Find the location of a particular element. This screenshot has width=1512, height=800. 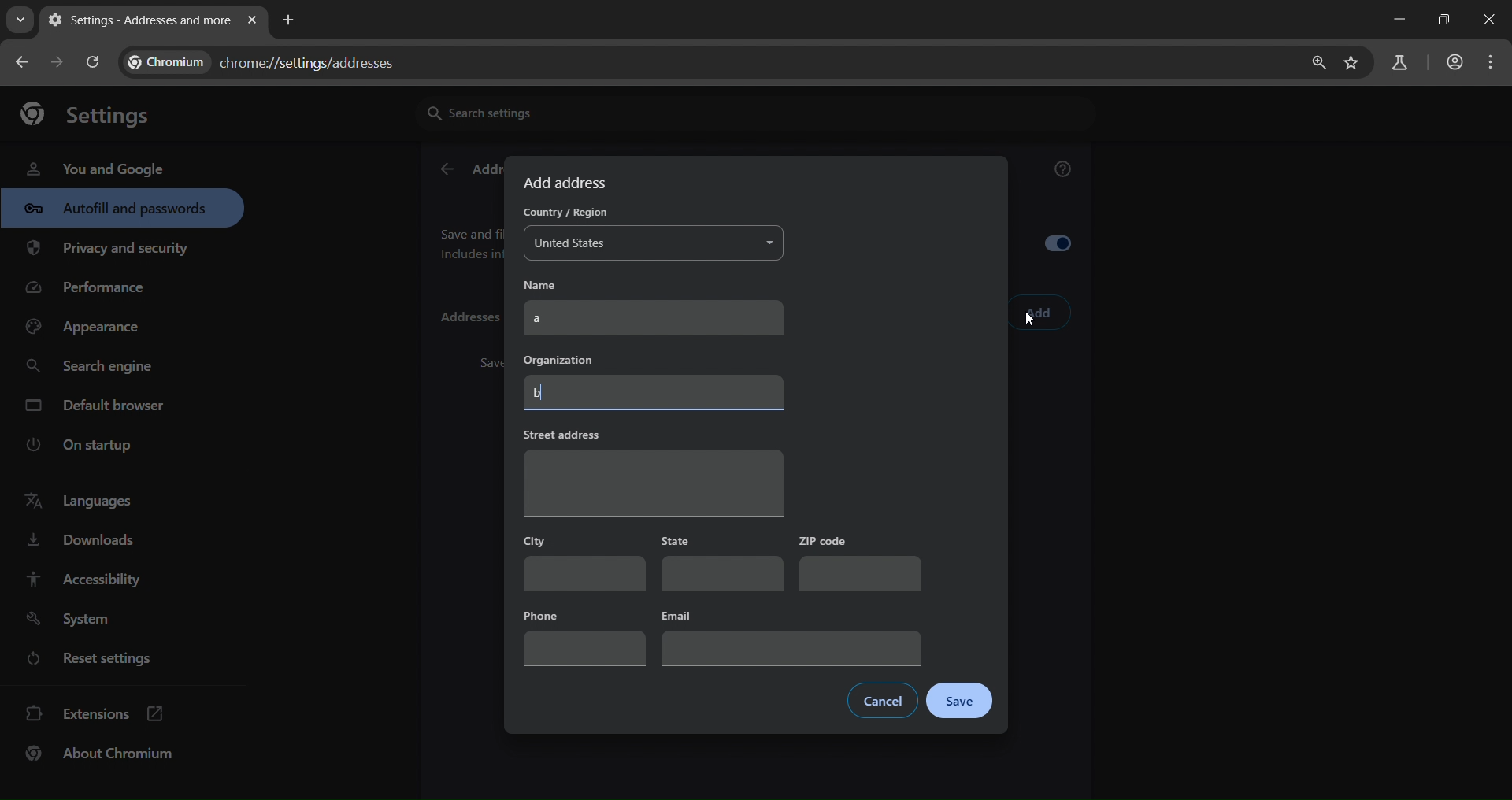

autofill & passwords is located at coordinates (122, 208).